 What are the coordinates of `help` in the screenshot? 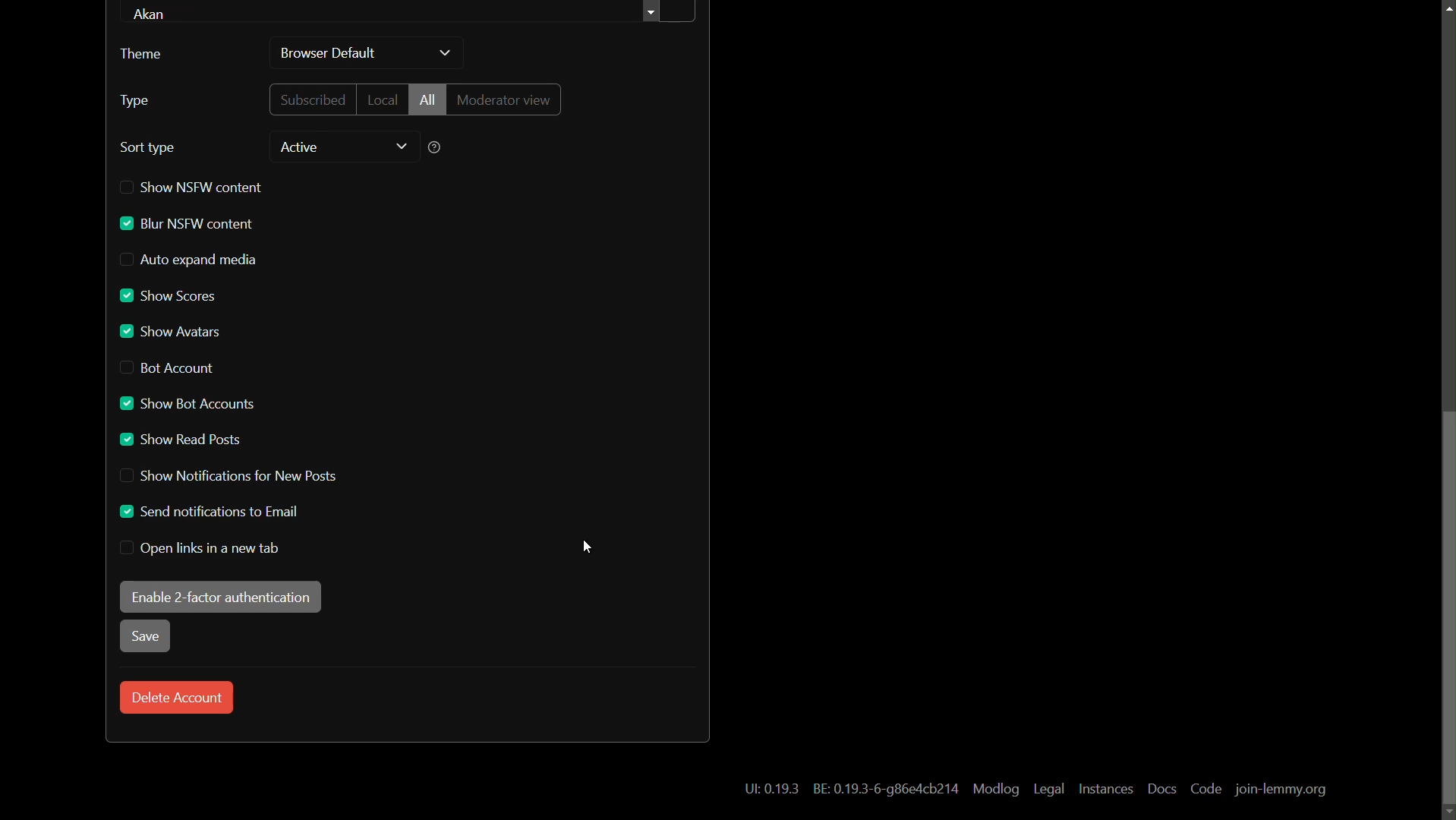 It's located at (433, 149).